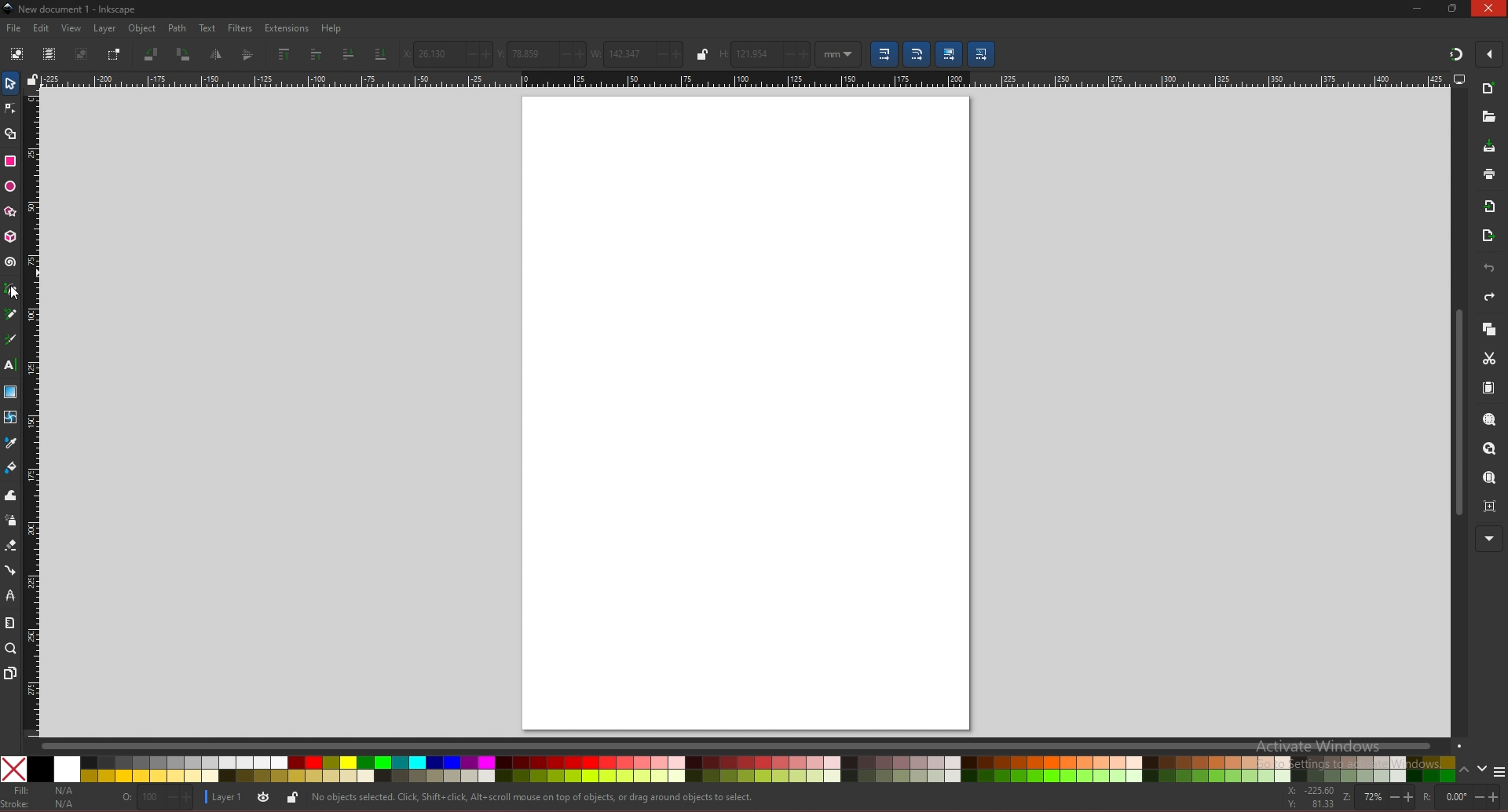 Image resolution: width=1508 pixels, height=812 pixels. What do you see at coordinates (9, 365) in the screenshot?
I see `text` at bounding box center [9, 365].